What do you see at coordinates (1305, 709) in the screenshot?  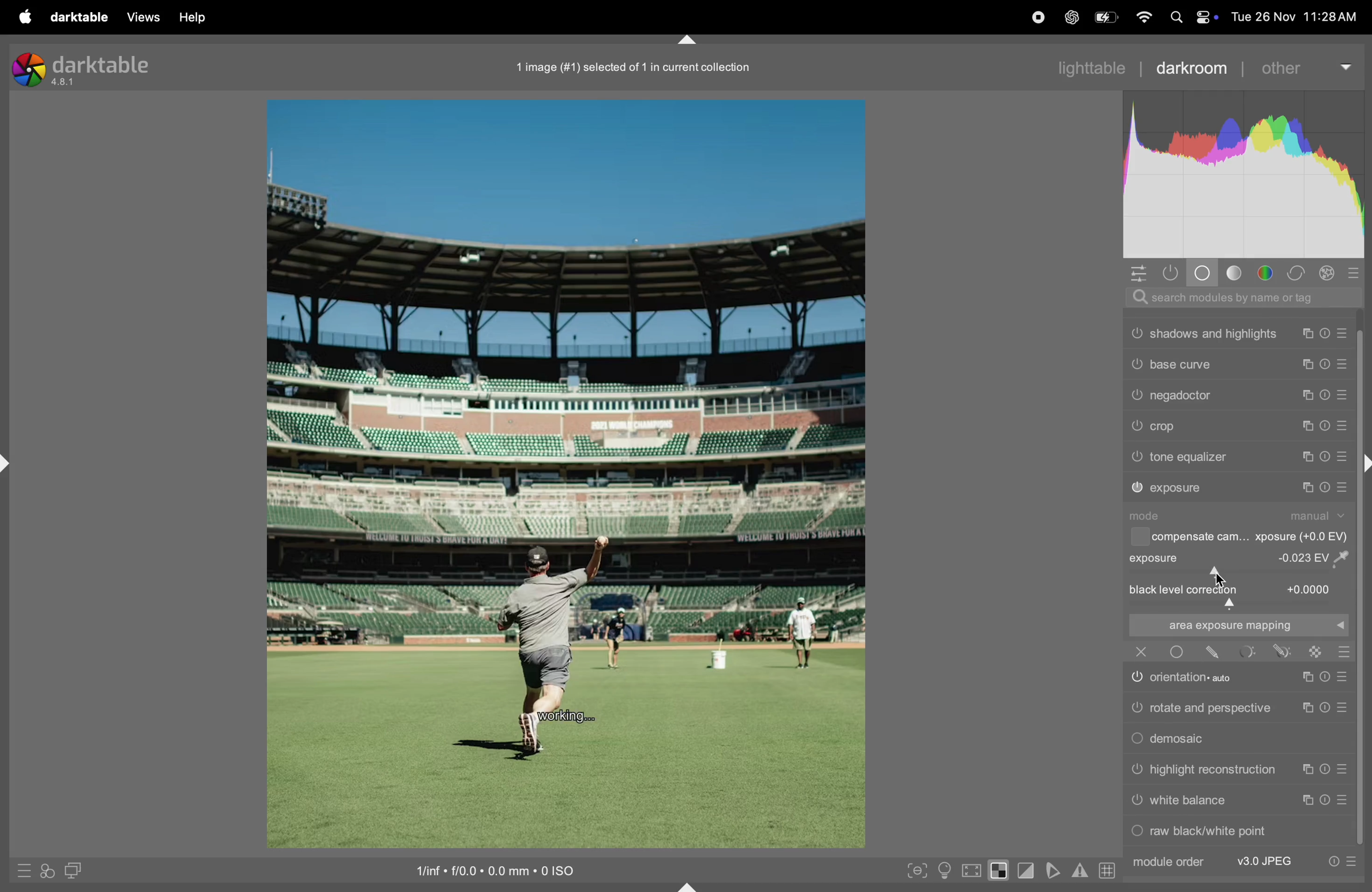 I see `copy` at bounding box center [1305, 709].